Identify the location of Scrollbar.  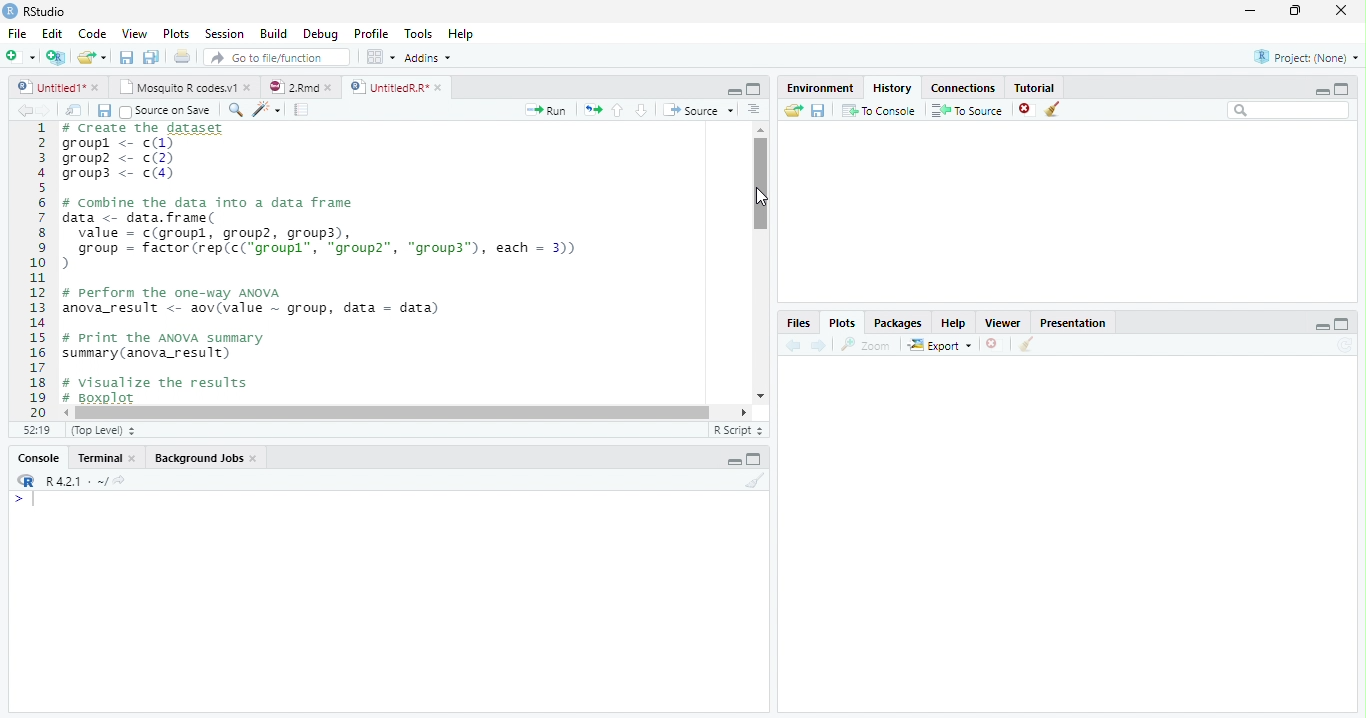
(757, 264).